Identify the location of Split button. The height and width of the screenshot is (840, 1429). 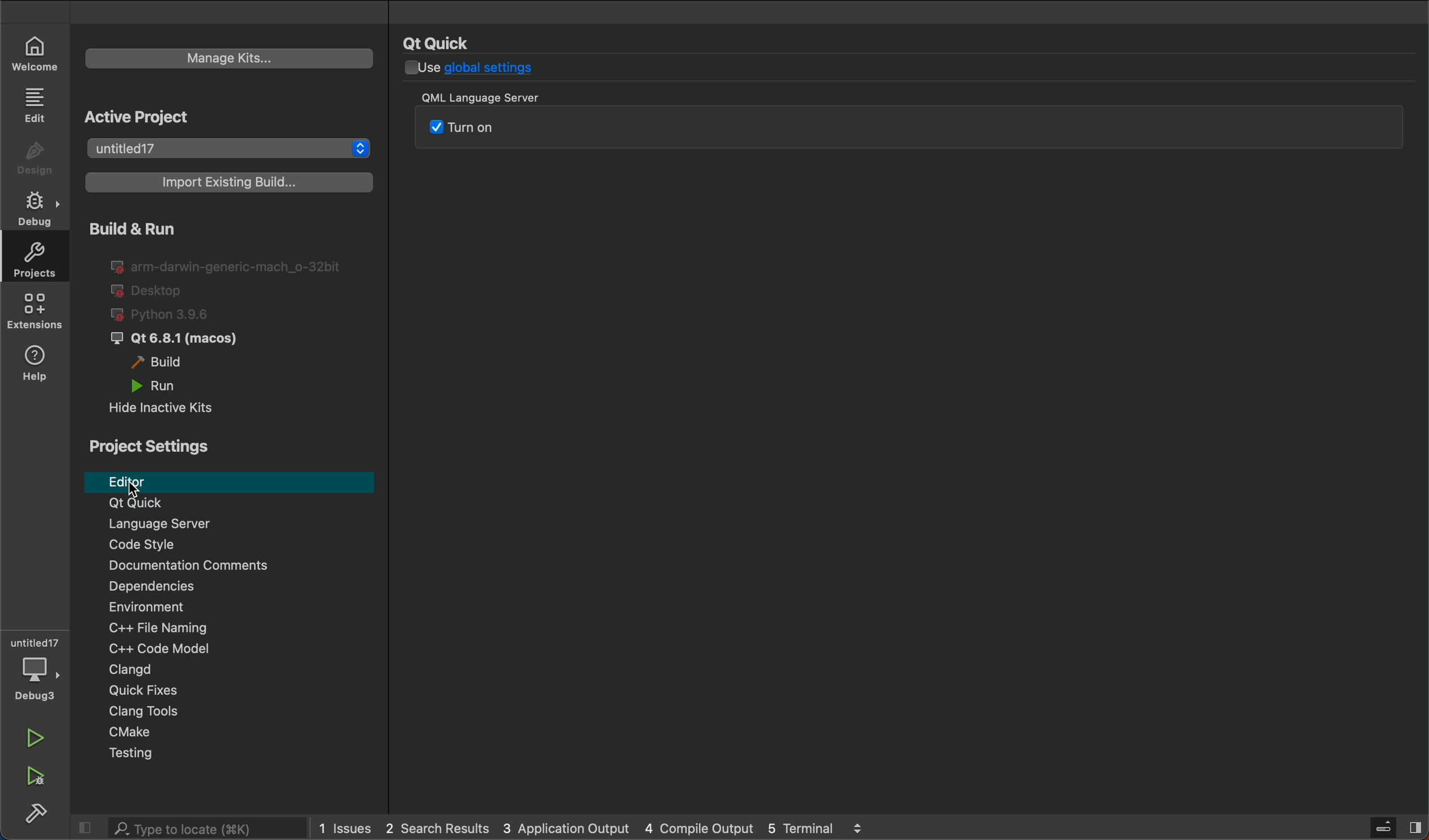
(1418, 824).